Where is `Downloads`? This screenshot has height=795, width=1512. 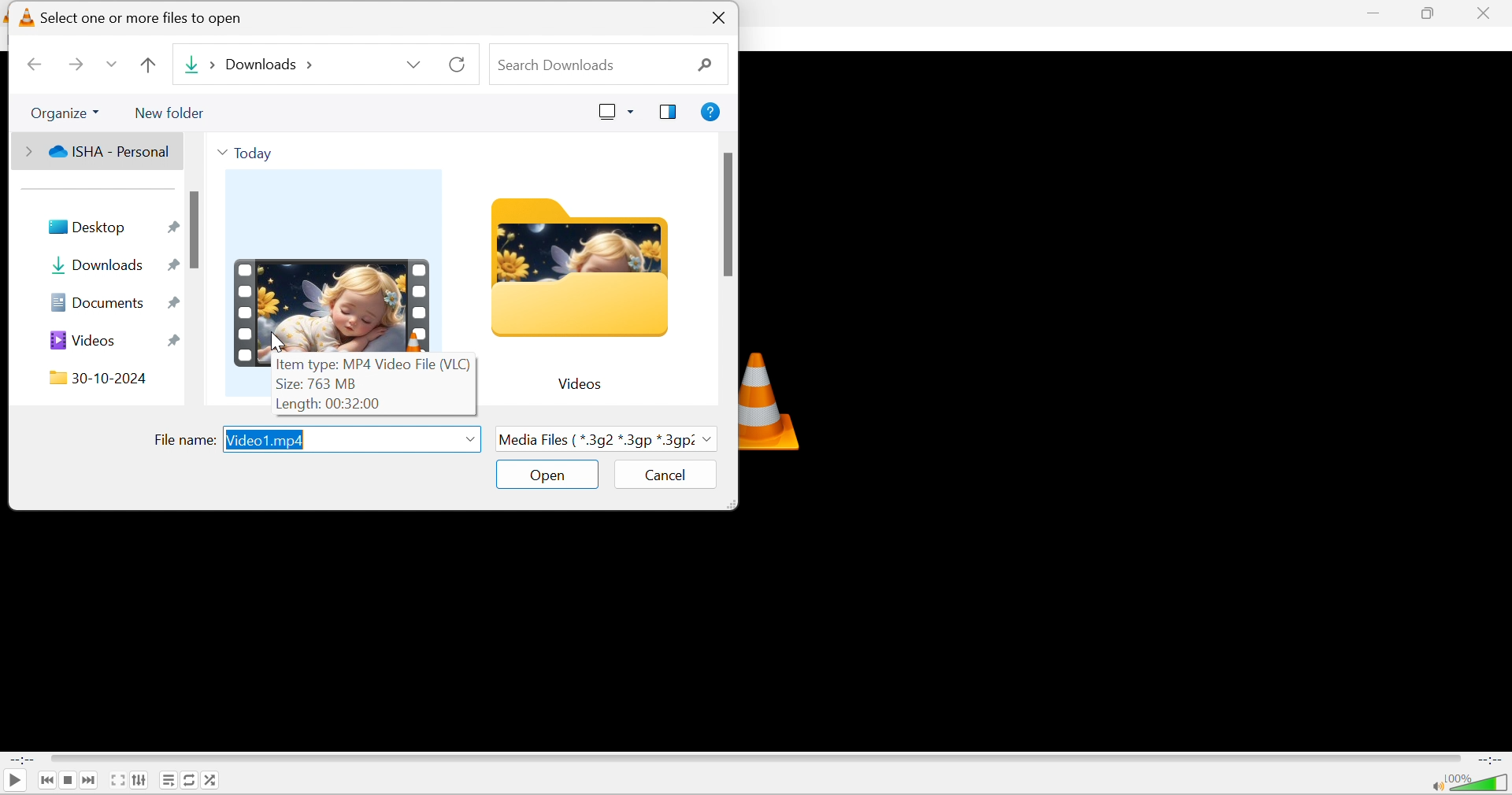
Downloads is located at coordinates (250, 64).